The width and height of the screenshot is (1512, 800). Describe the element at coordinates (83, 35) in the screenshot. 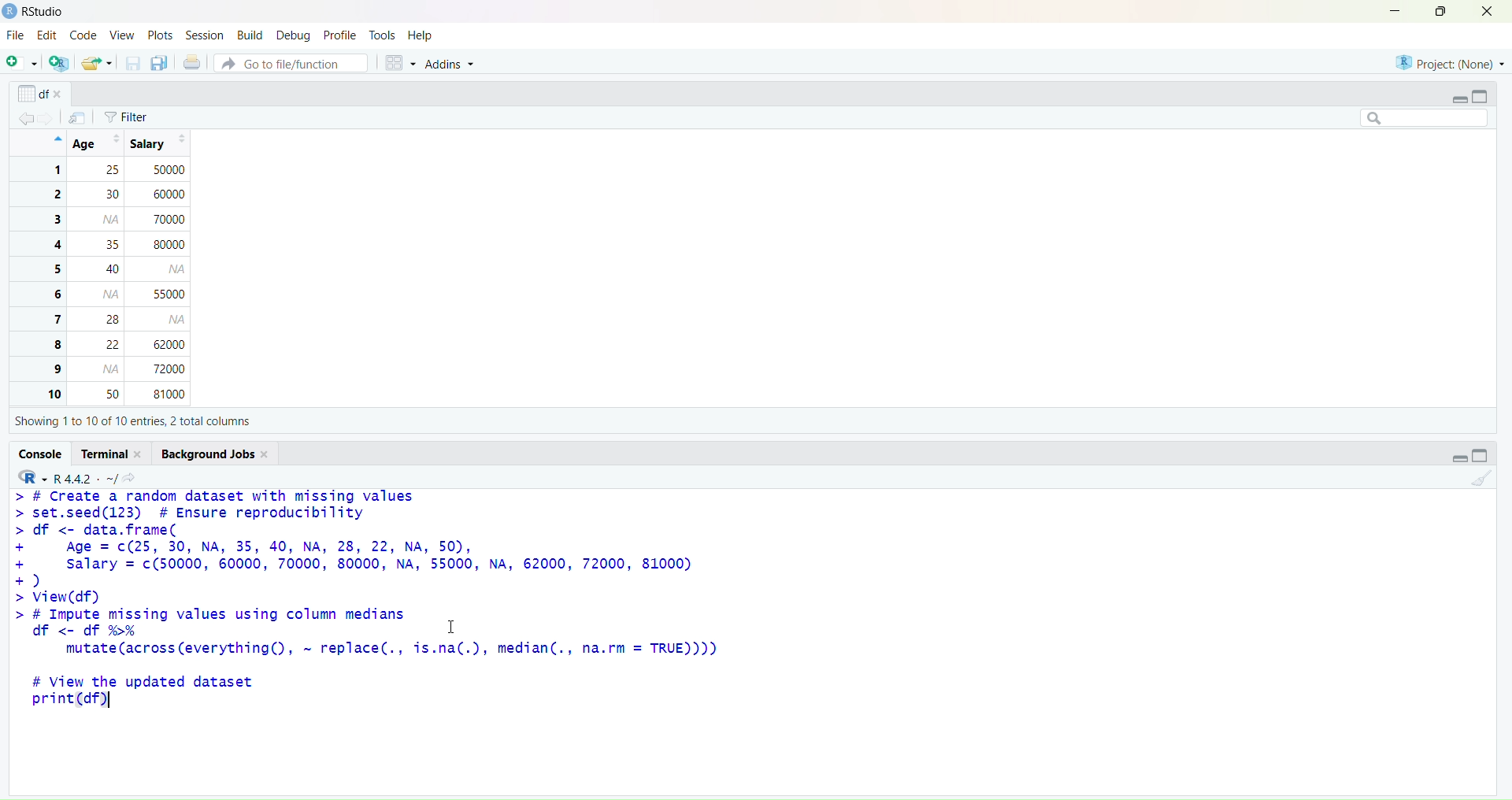

I see `code` at that location.